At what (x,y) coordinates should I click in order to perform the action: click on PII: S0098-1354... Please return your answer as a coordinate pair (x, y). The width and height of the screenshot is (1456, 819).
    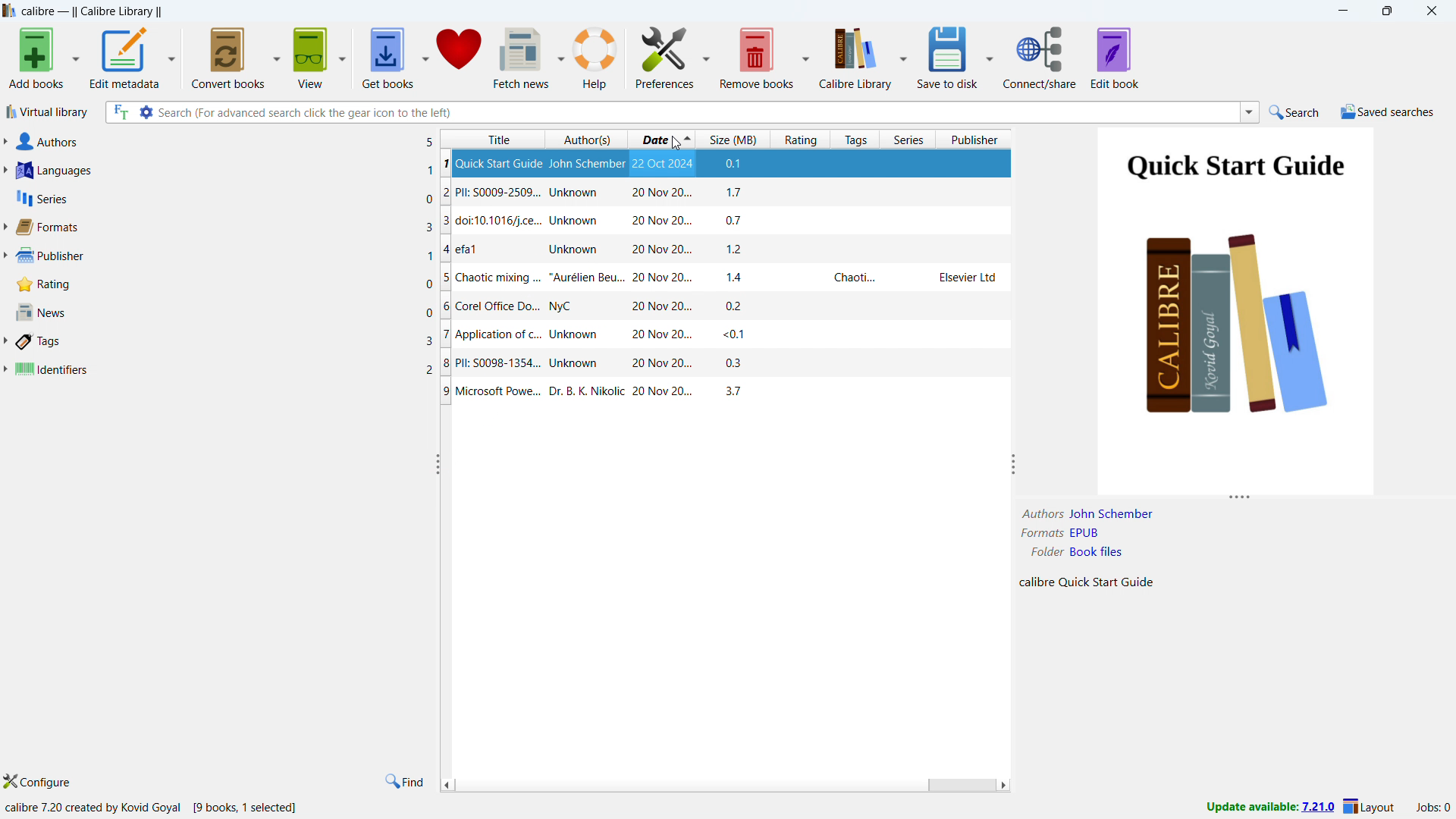
    Looking at the image, I should click on (491, 279).